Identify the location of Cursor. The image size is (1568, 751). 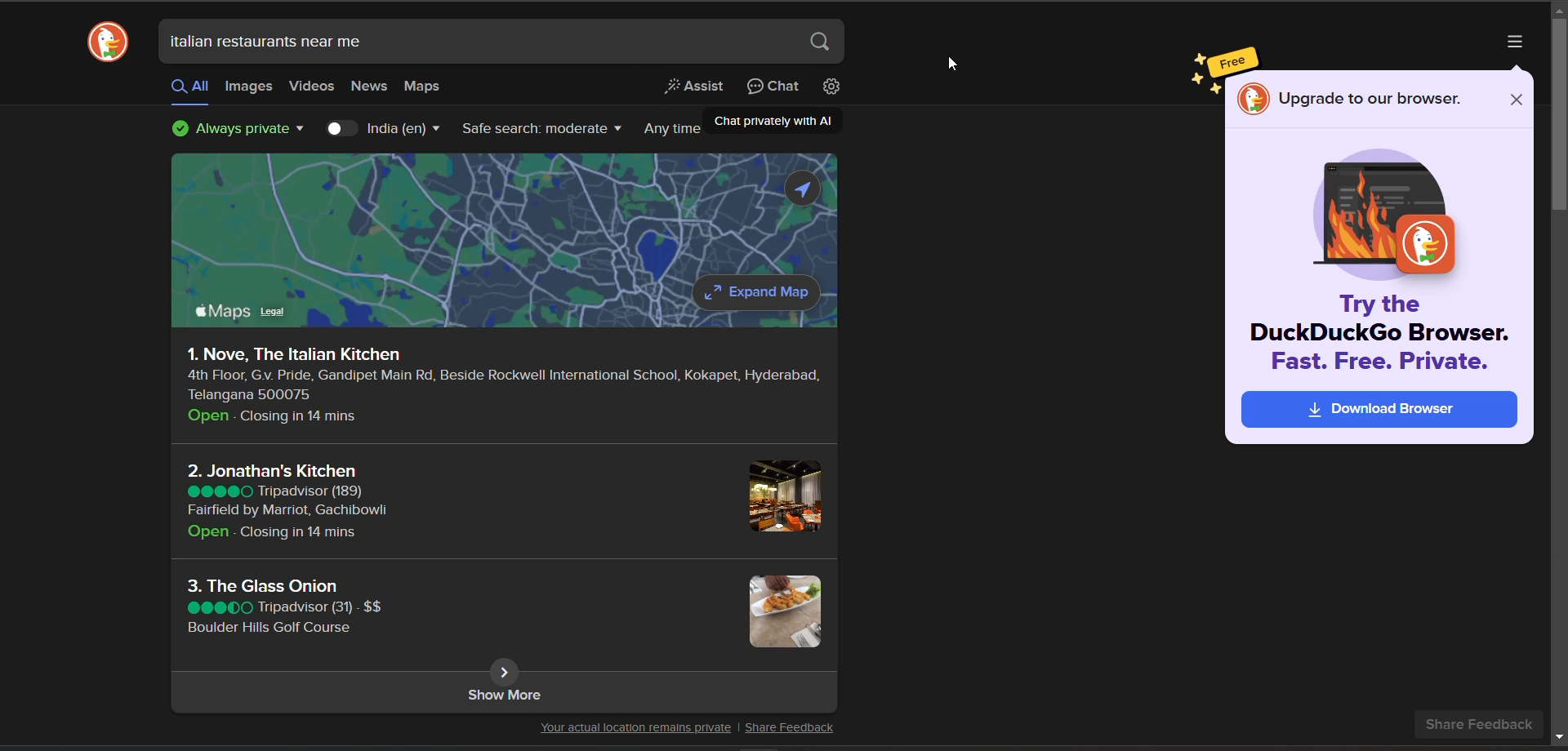
(952, 63).